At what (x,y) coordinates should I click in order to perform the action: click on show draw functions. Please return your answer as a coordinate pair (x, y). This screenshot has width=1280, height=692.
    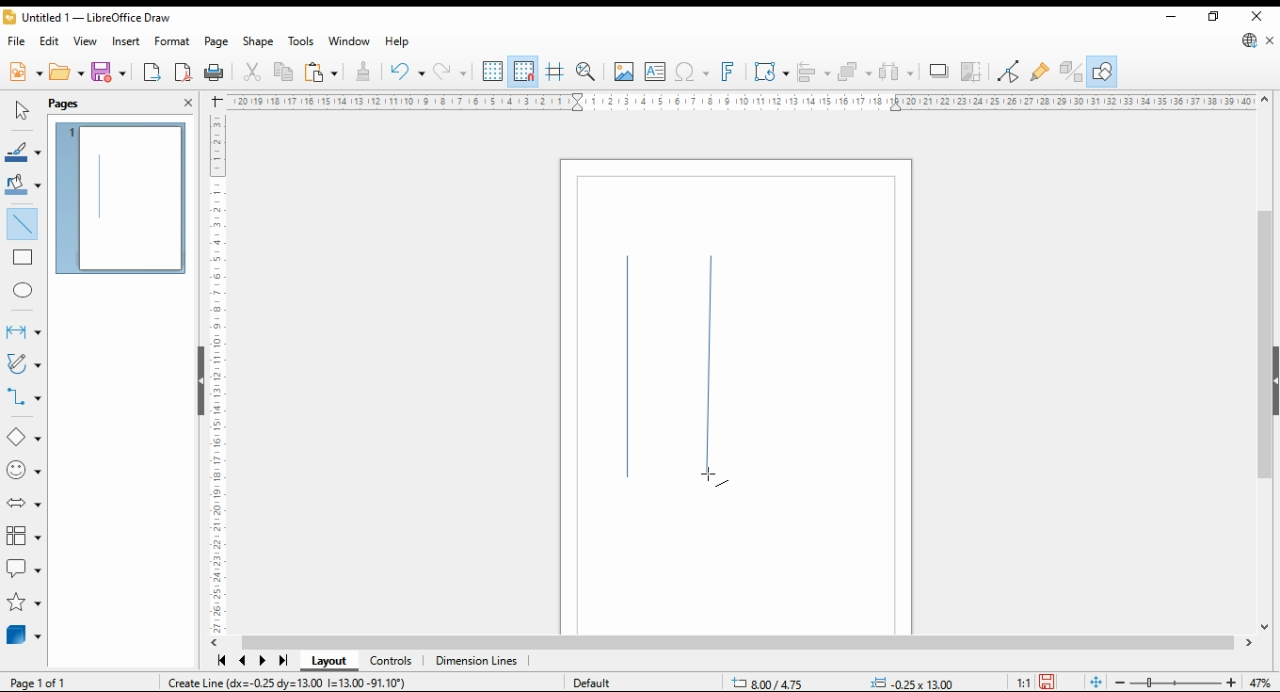
    Looking at the image, I should click on (1102, 71).